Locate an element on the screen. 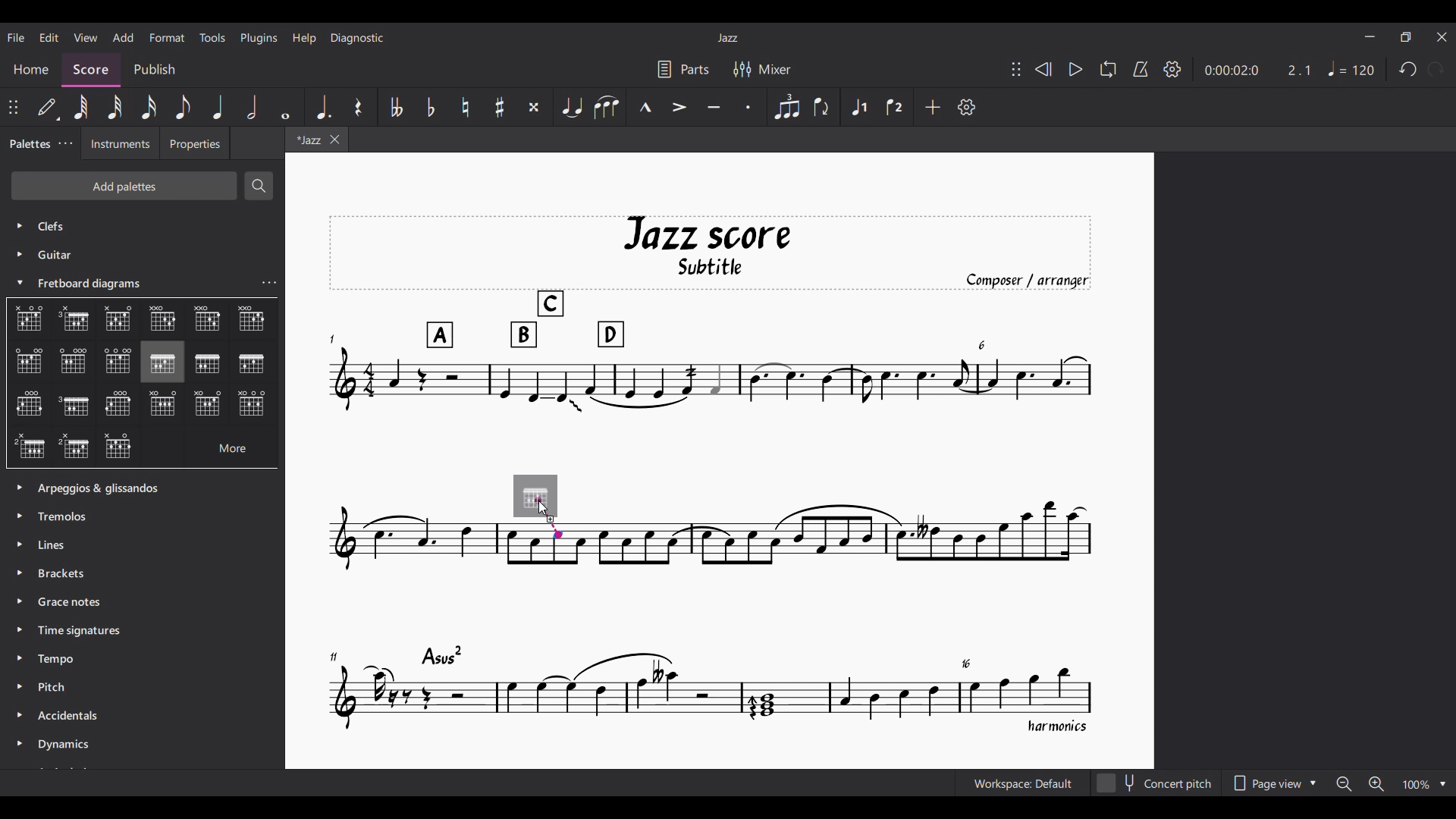 Image resolution: width=1456 pixels, height=819 pixels. Help menu is located at coordinates (305, 39).